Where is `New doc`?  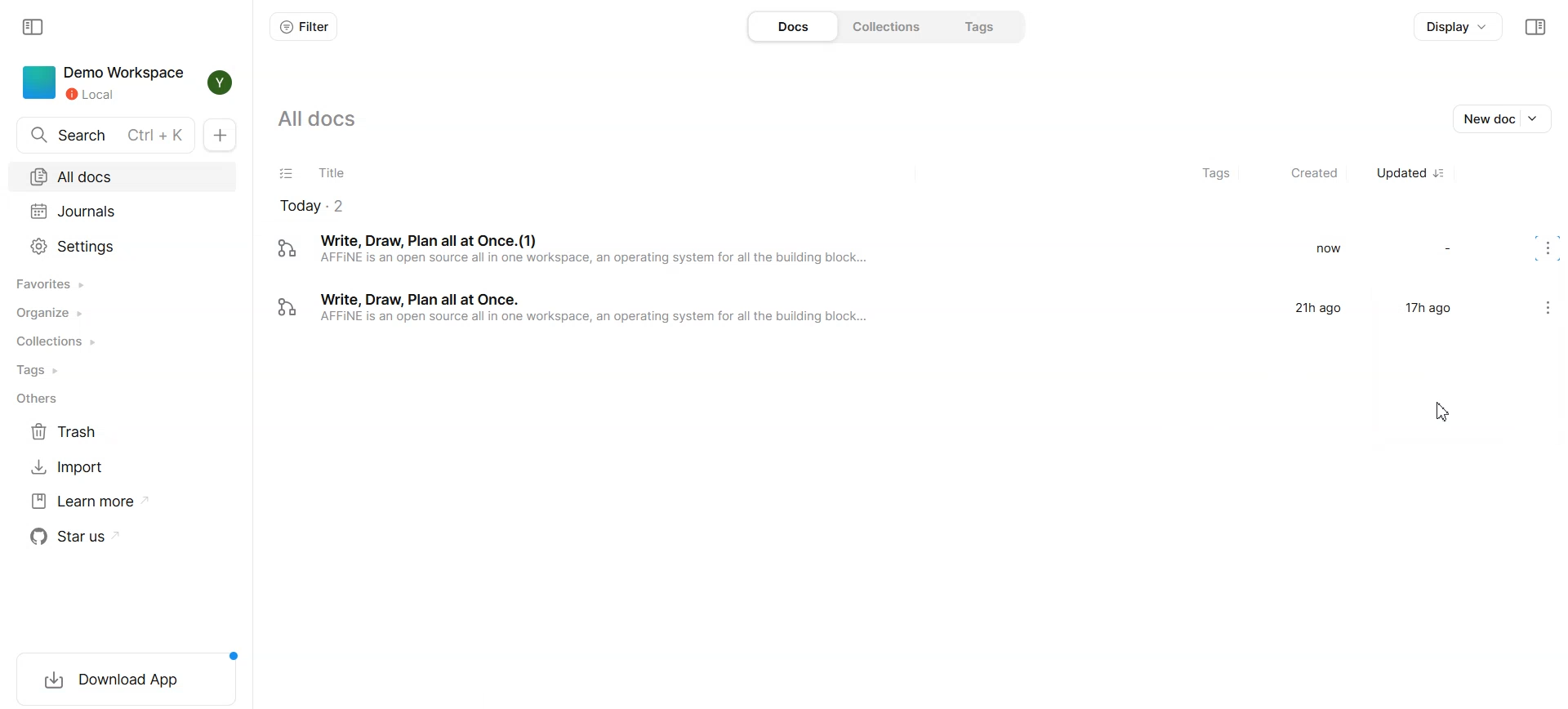 New doc is located at coordinates (1485, 118).